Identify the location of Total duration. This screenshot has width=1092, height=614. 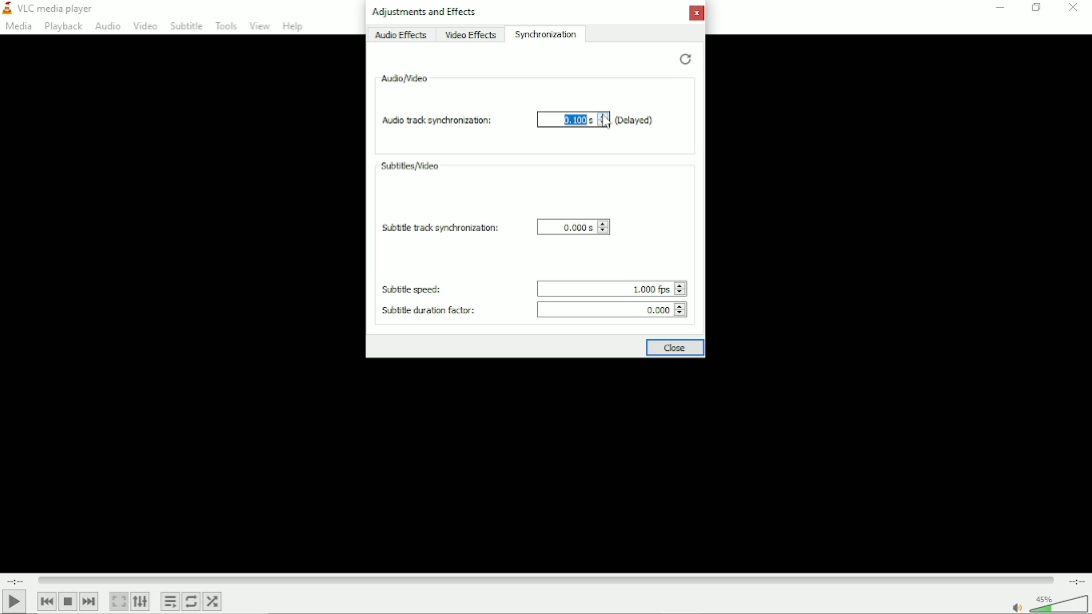
(1077, 581).